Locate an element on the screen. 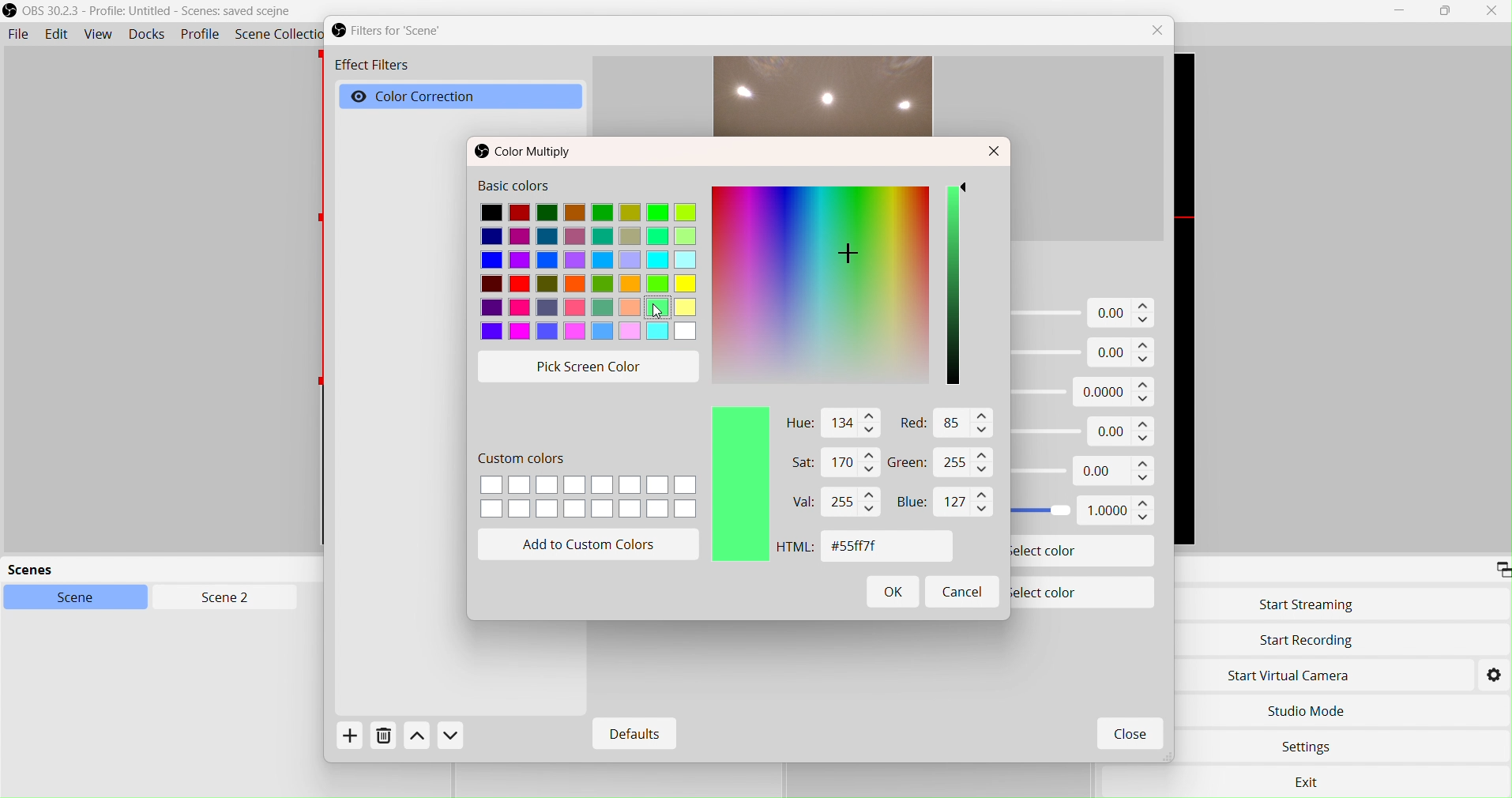 The width and height of the screenshot is (1512, 798). Studio Move is located at coordinates (1307, 708).